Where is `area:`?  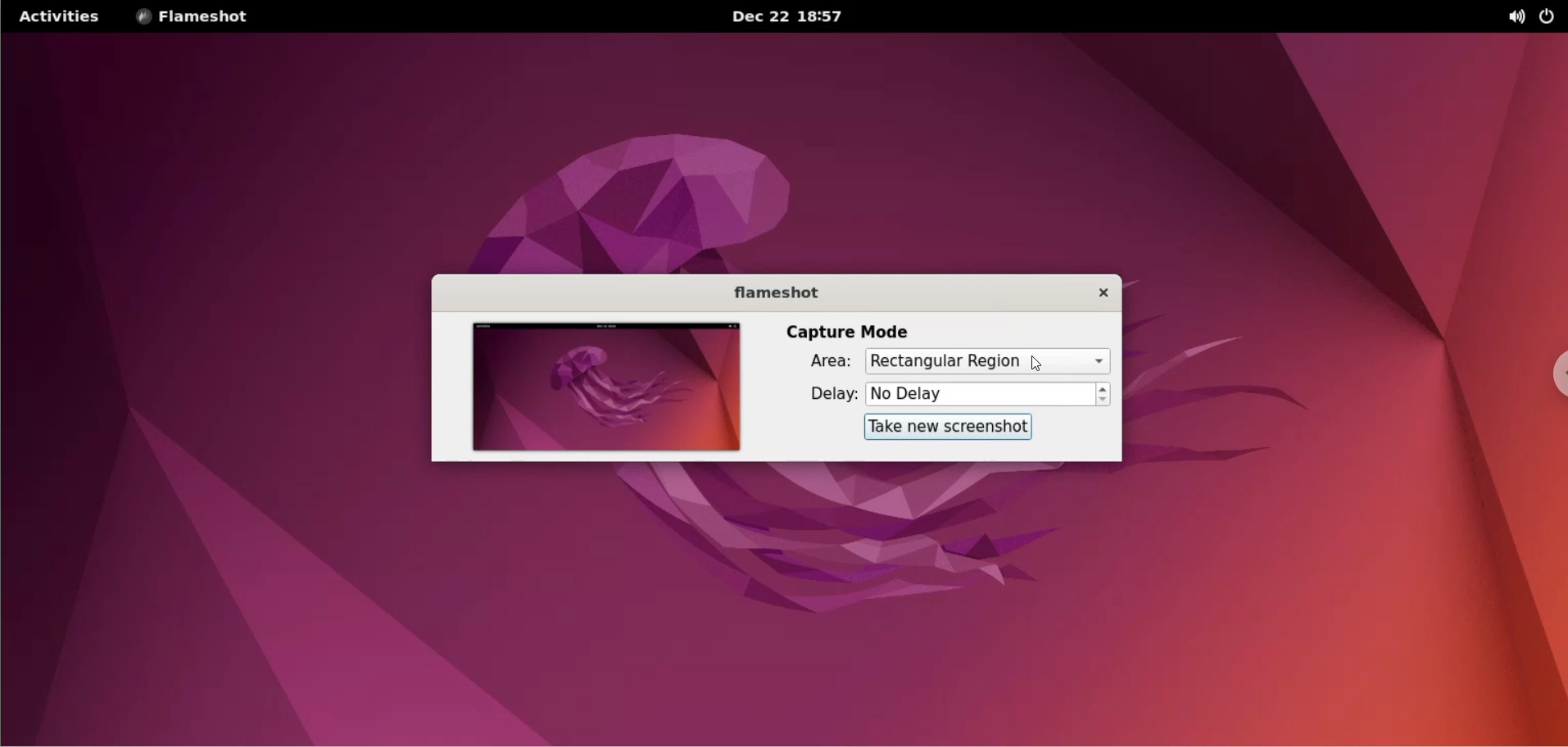
area: is located at coordinates (814, 364).